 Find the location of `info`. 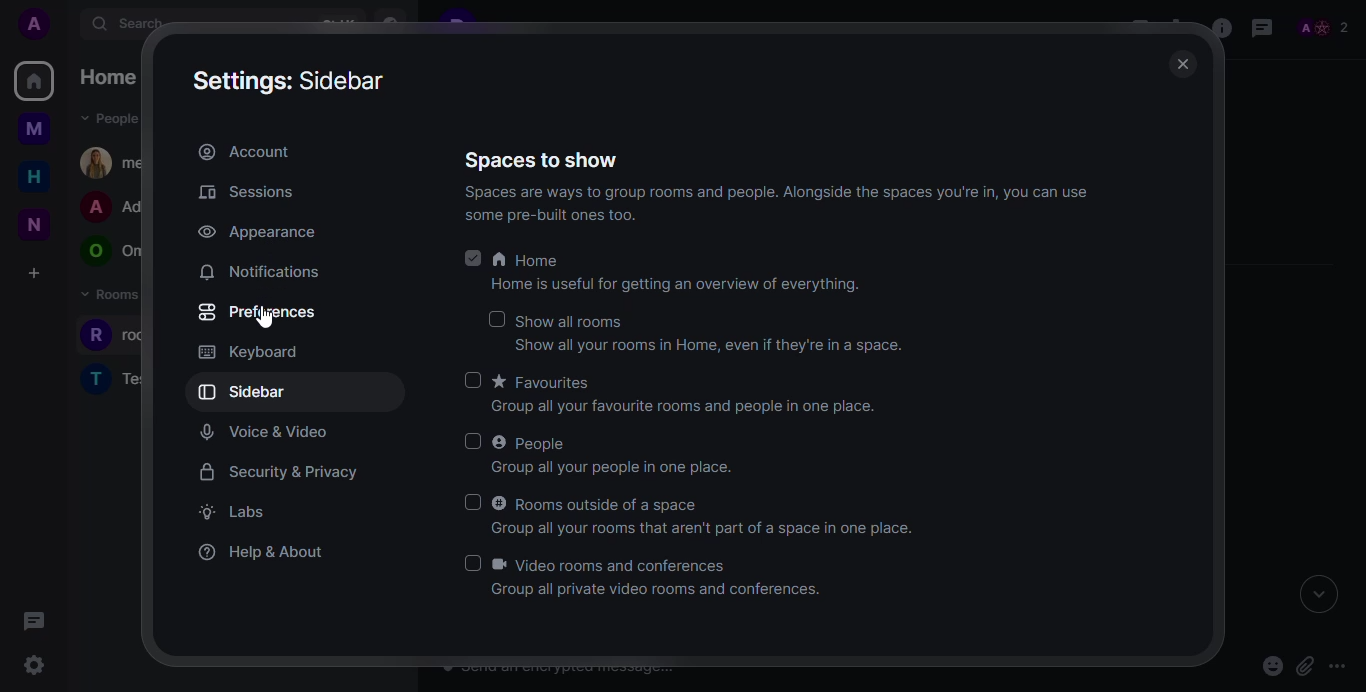

info is located at coordinates (1218, 29).